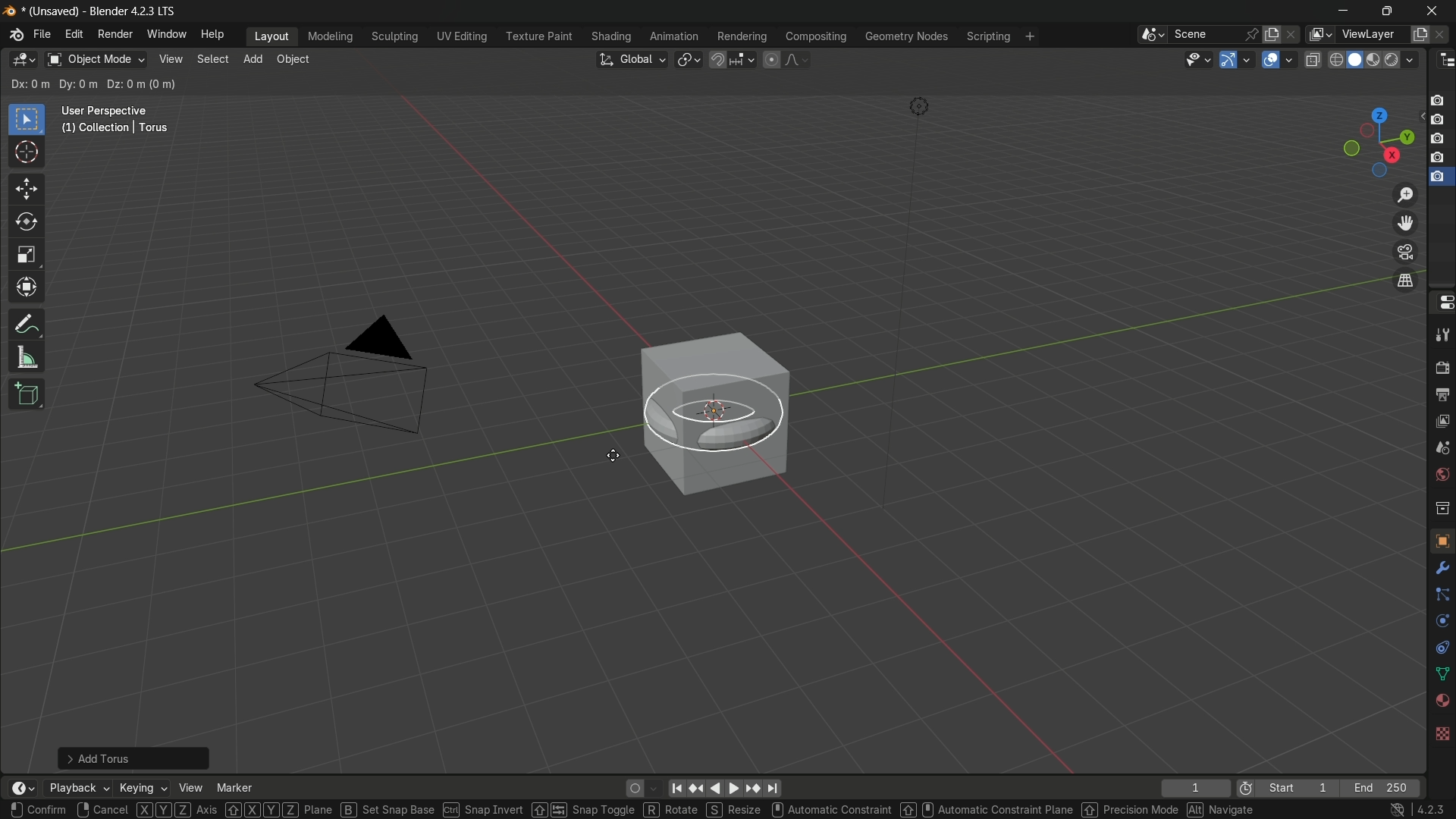 The width and height of the screenshot is (1456, 819). What do you see at coordinates (735, 810) in the screenshot?
I see `Resize` at bounding box center [735, 810].